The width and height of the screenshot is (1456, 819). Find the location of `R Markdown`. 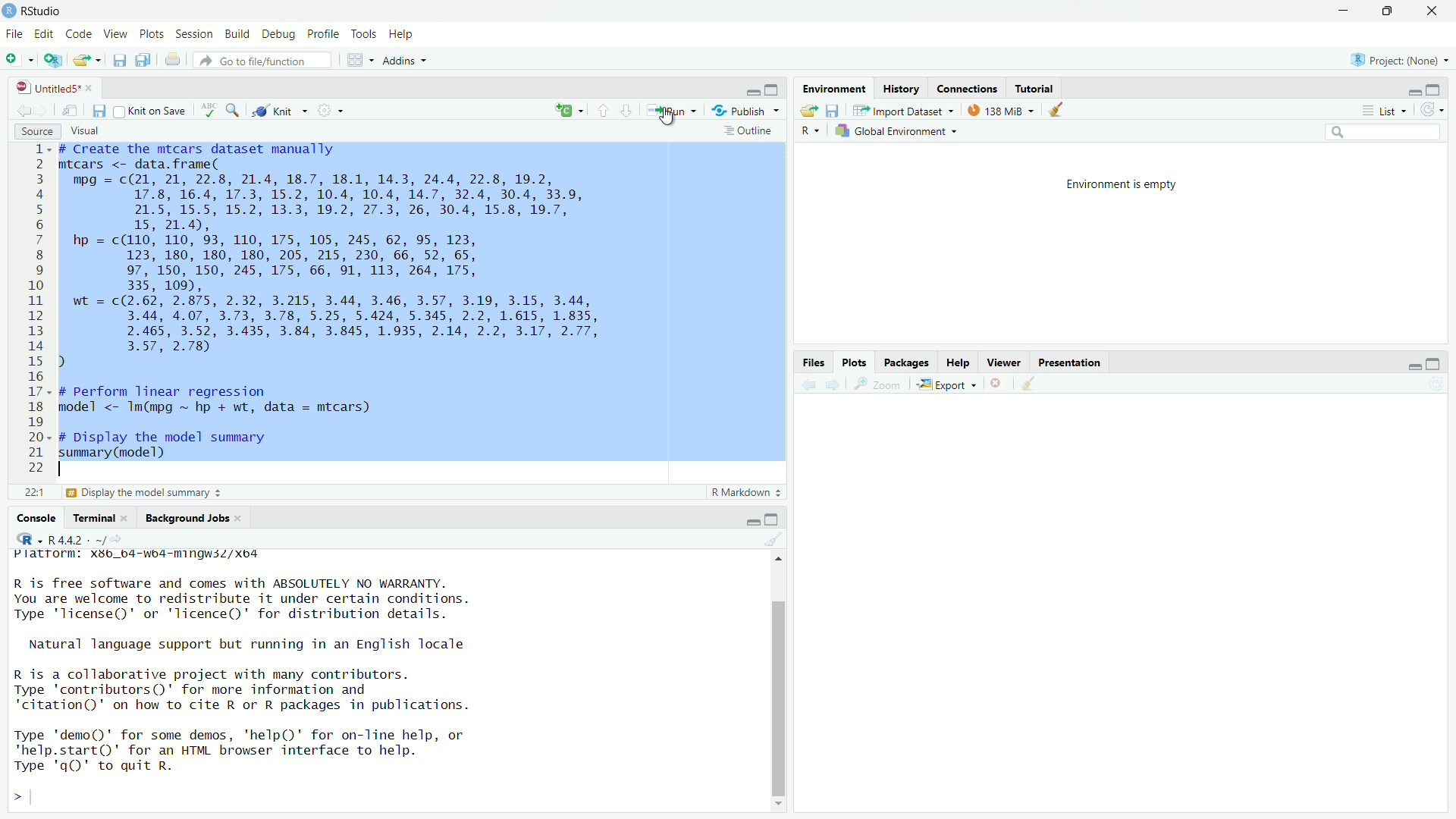

R Markdown is located at coordinates (744, 493).